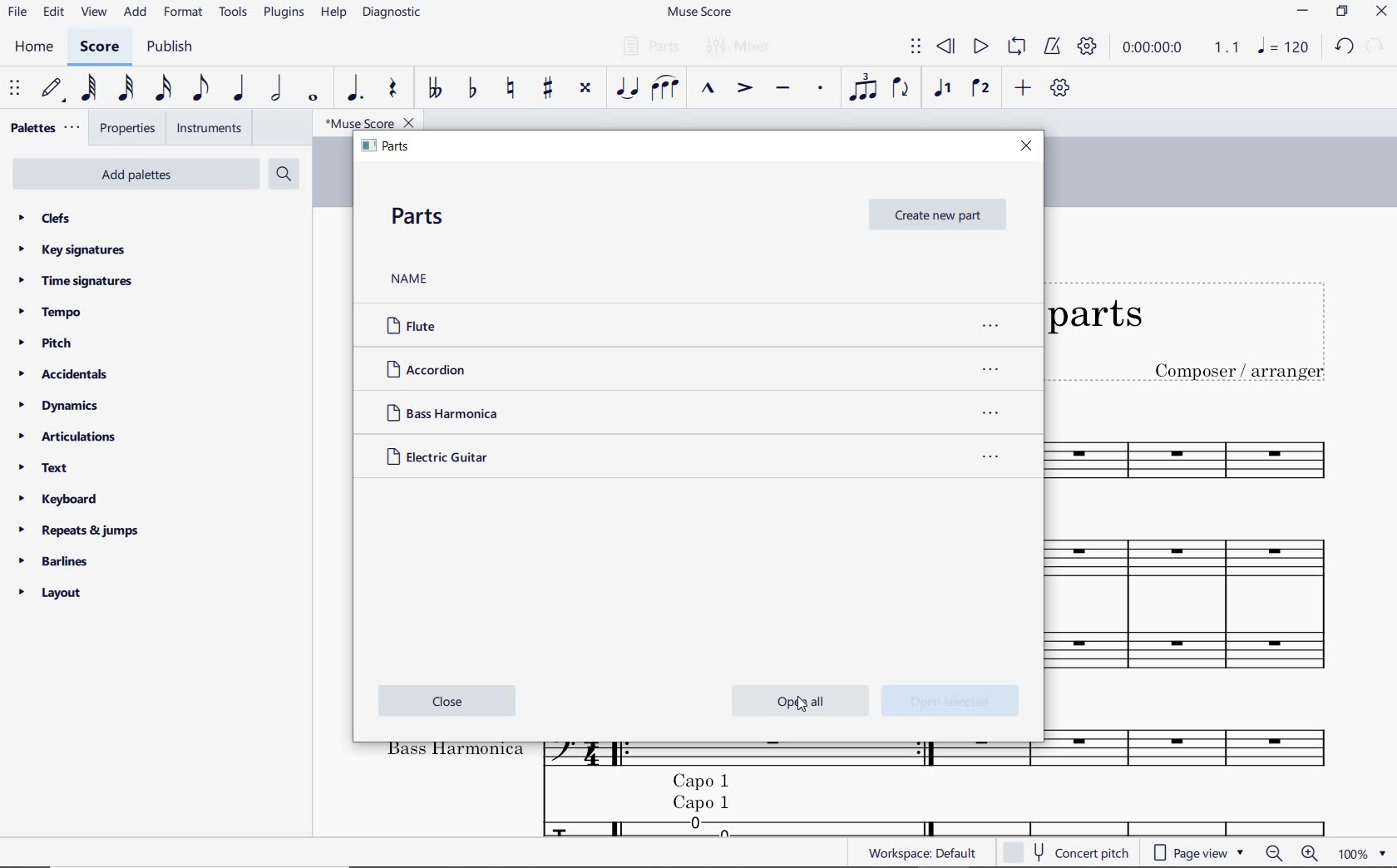 The image size is (1397, 868). Describe the element at coordinates (708, 414) in the screenshot. I see `Bass Harmonica` at that location.